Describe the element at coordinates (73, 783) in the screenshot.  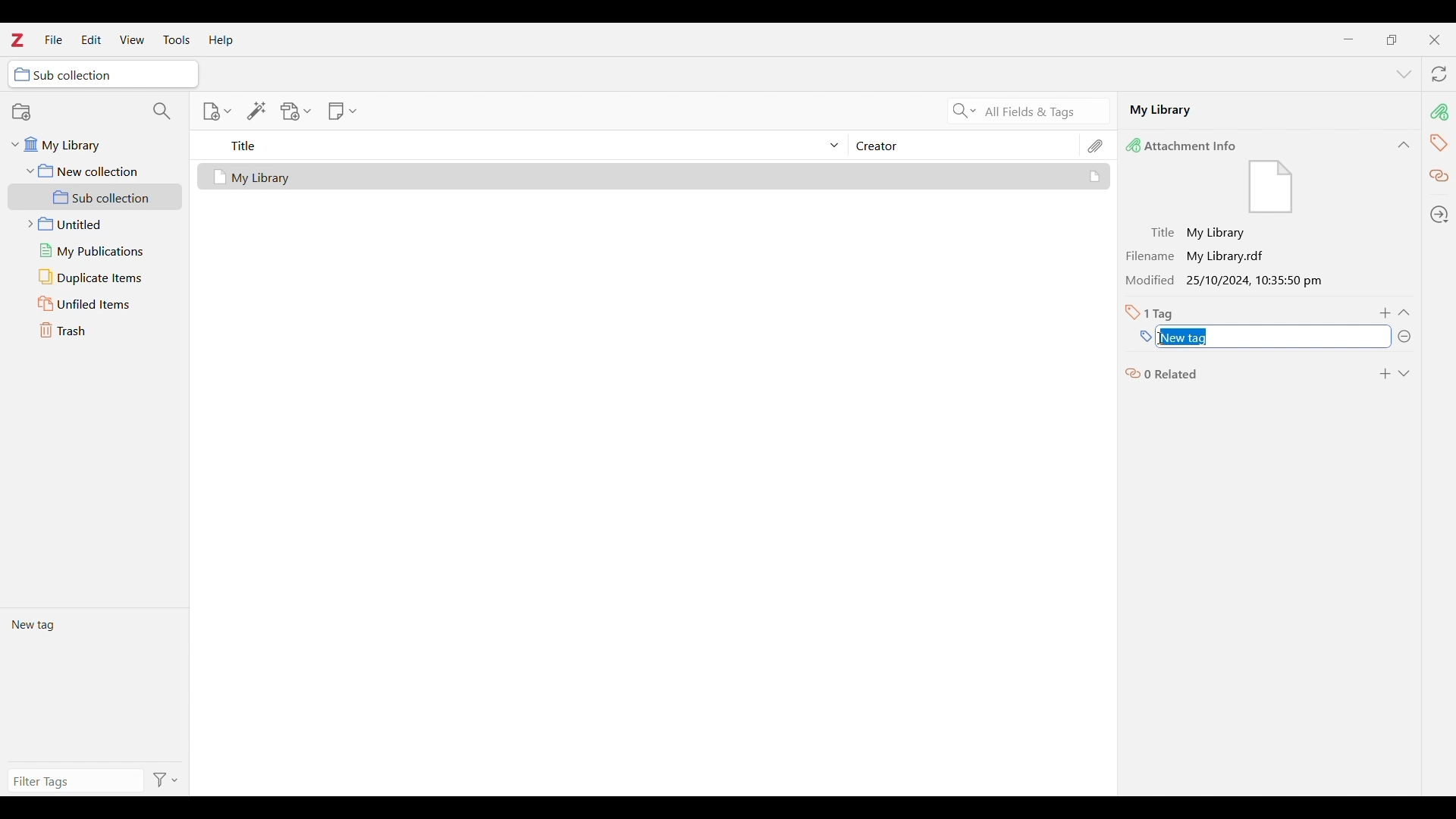
I see `Type in filter tags` at that location.